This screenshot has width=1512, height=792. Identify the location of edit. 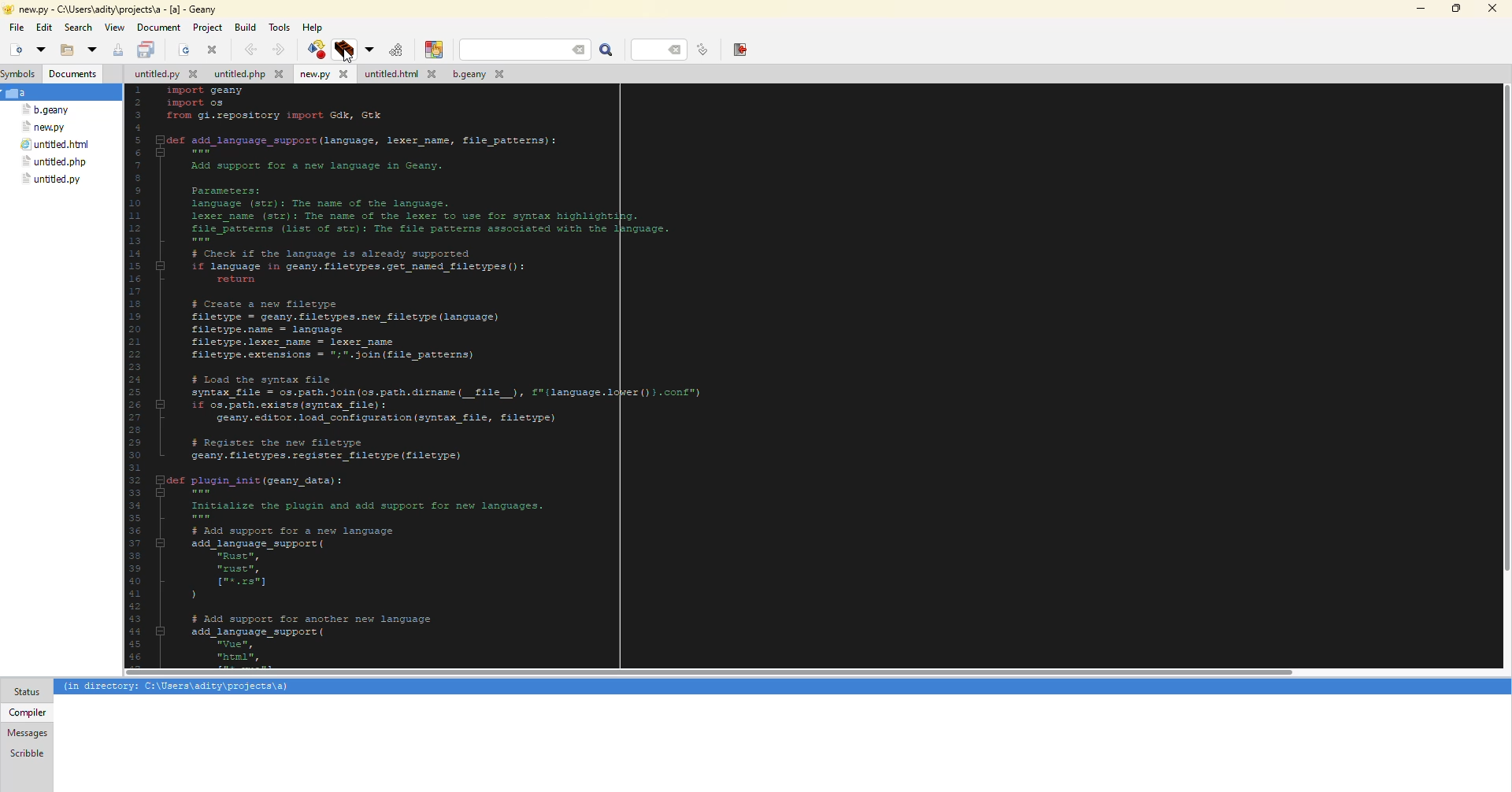
(45, 28).